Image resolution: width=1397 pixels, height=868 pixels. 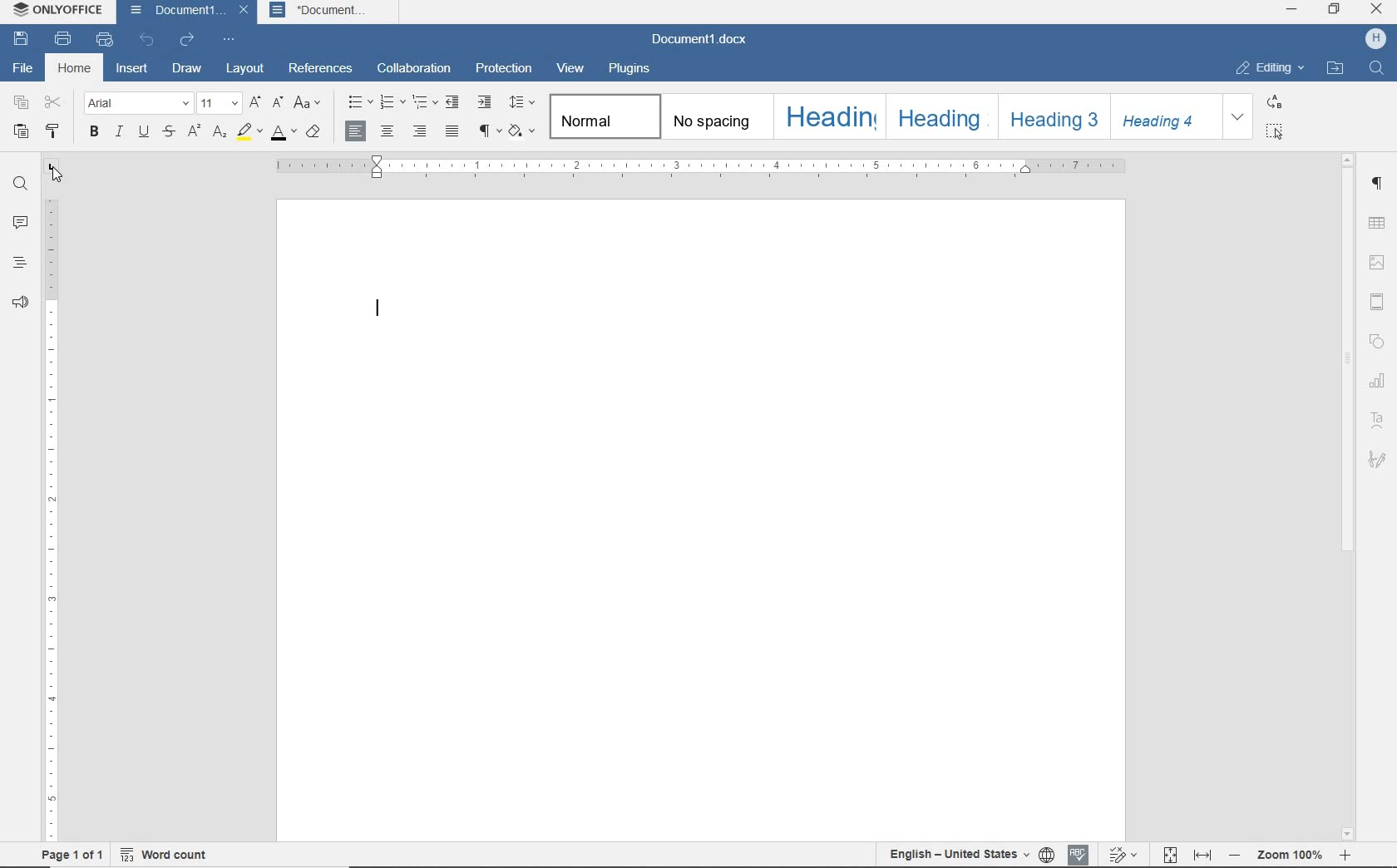 I want to click on SIGNATURE, so click(x=1378, y=462).